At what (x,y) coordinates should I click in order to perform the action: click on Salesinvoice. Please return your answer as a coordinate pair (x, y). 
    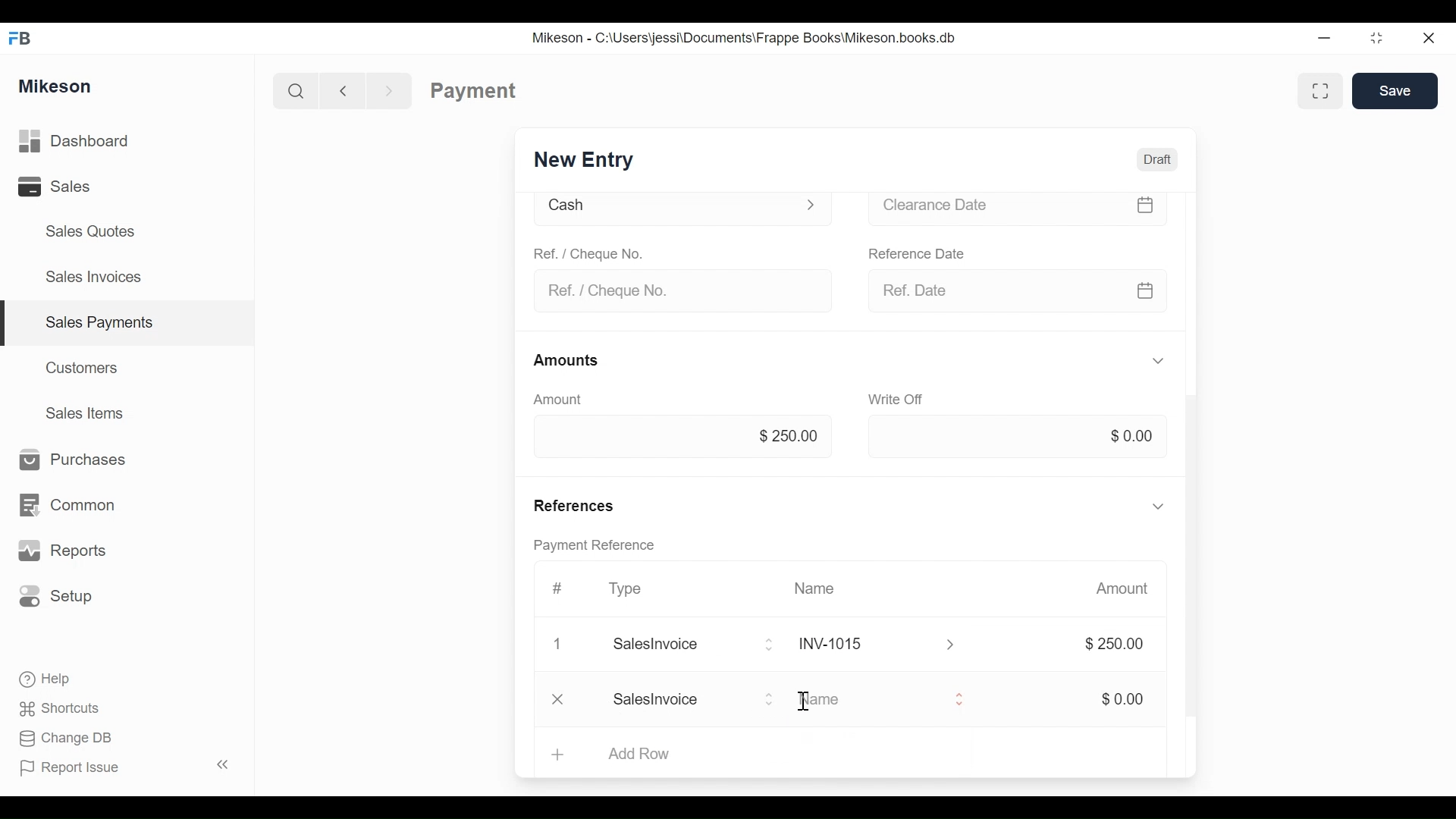
    Looking at the image, I should click on (691, 645).